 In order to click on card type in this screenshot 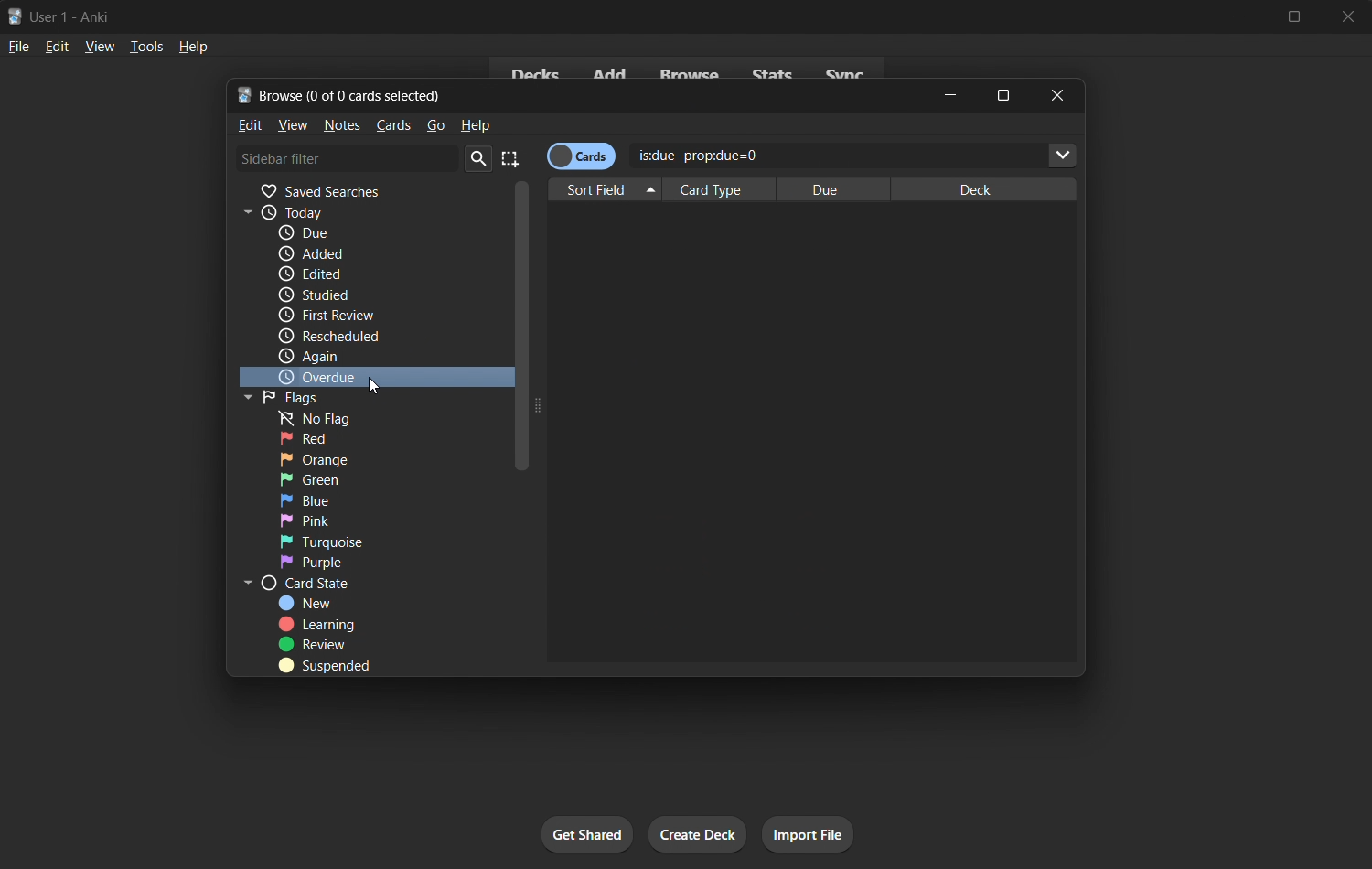, I will do `click(713, 190)`.